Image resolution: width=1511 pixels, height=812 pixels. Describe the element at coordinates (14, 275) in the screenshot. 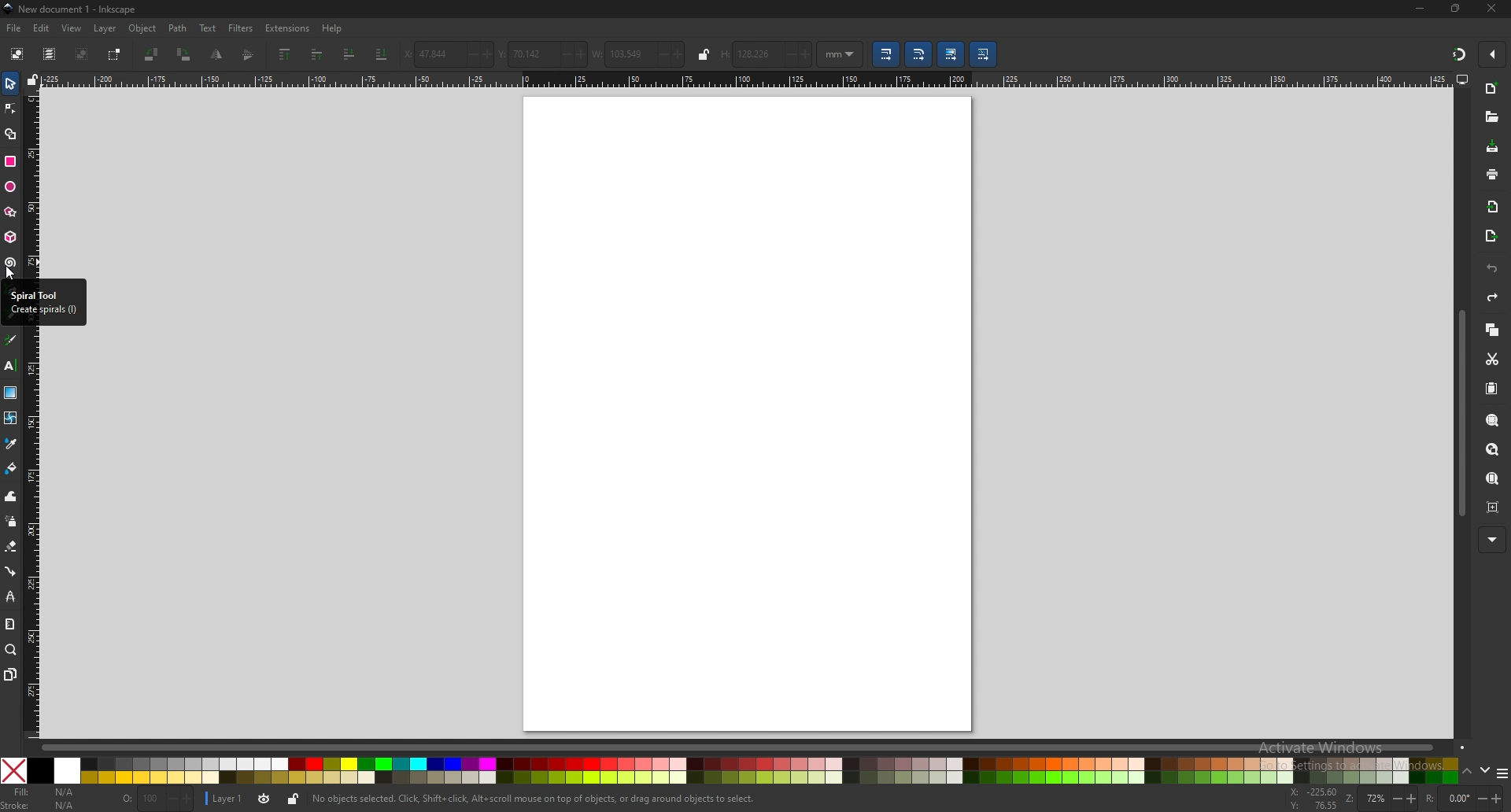

I see `cursor` at that location.